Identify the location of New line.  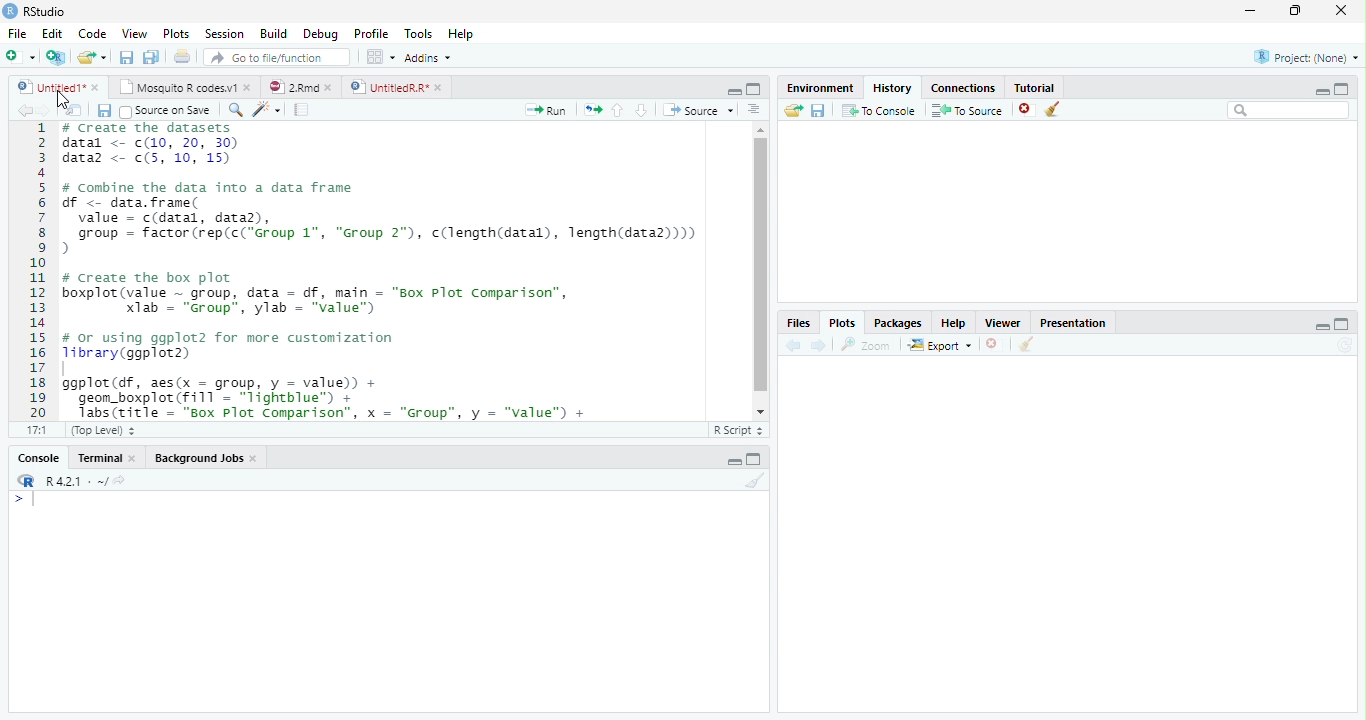
(24, 500).